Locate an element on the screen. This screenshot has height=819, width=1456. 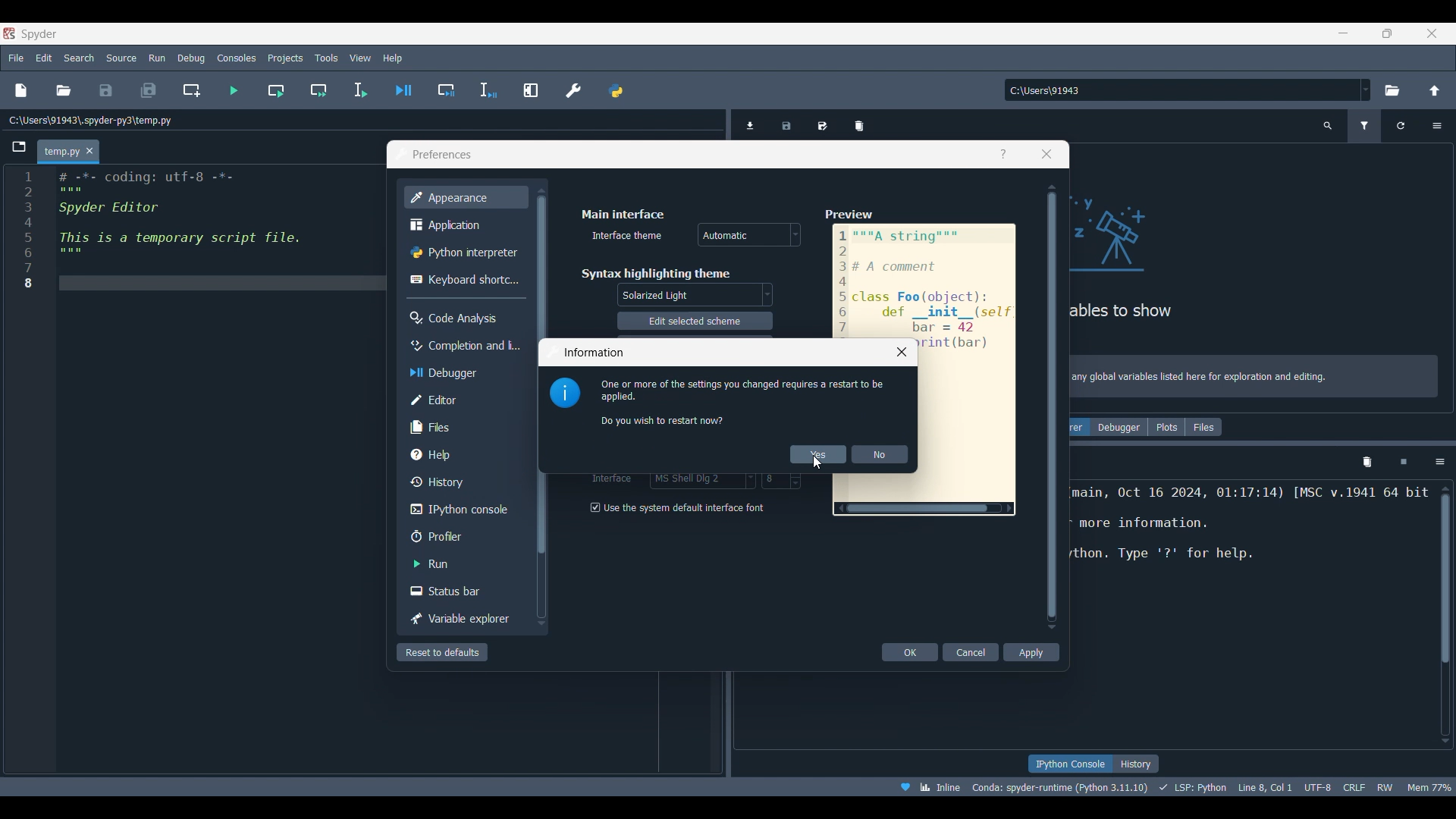
IPython console is located at coordinates (463, 510).